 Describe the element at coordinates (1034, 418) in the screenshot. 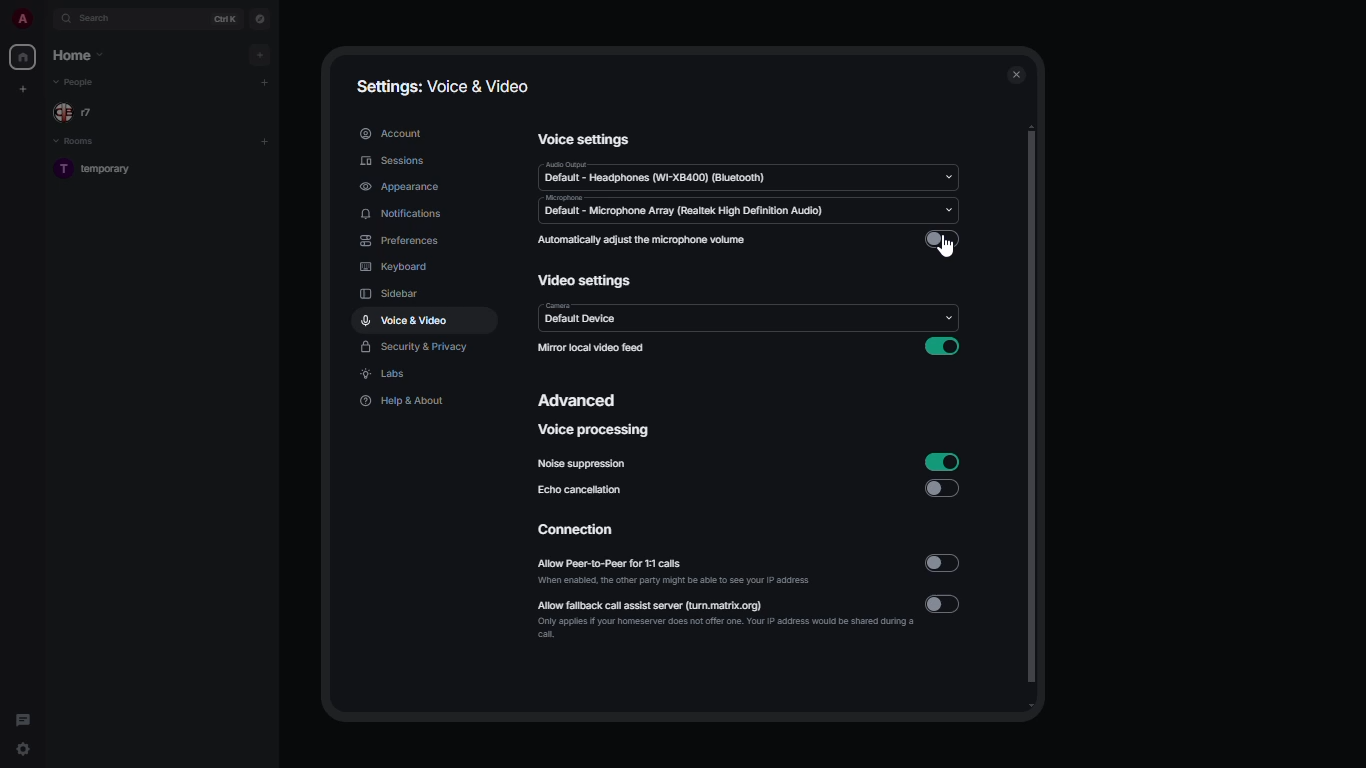

I see `scroll bar` at that location.